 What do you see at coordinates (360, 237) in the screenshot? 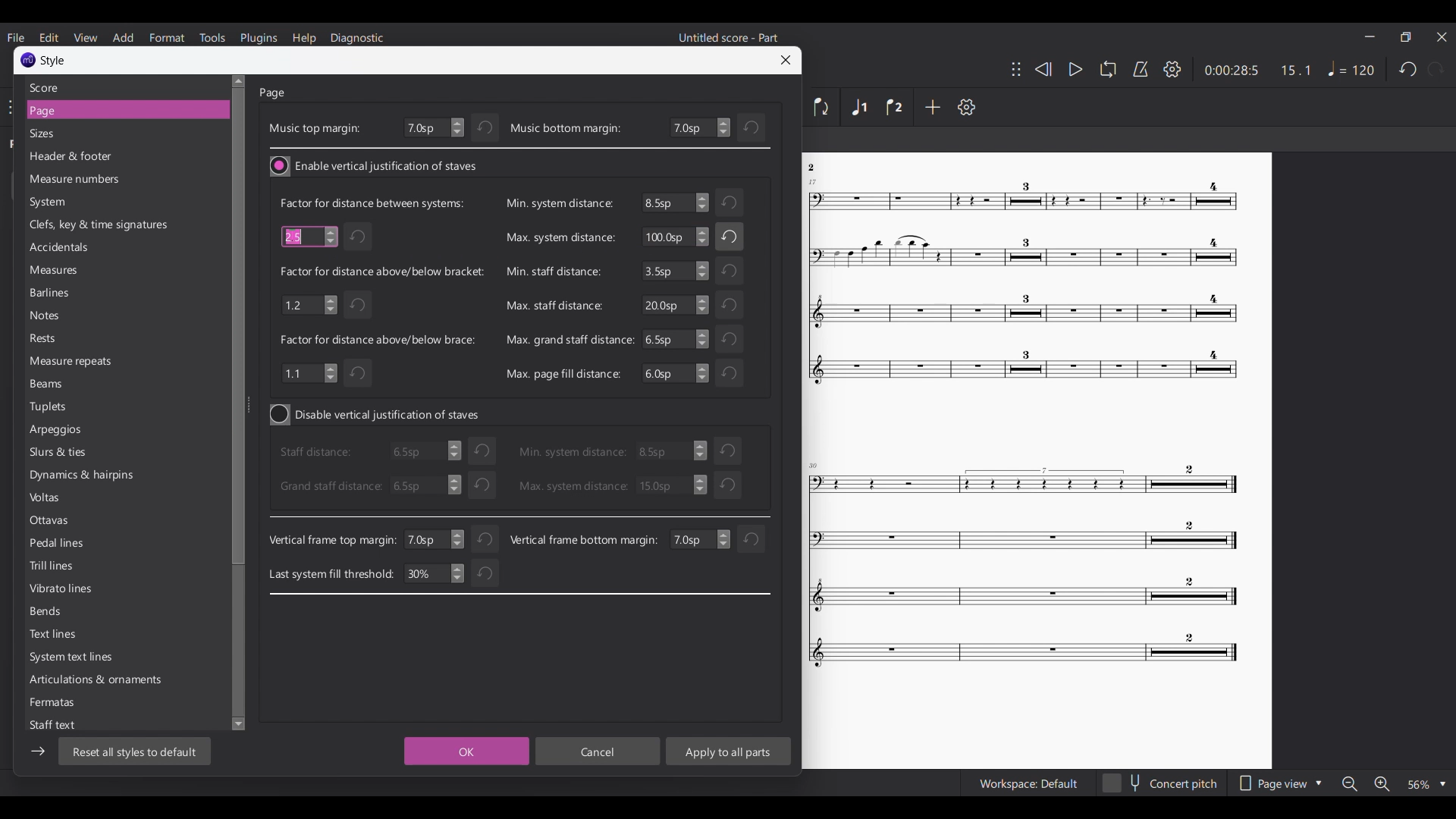
I see `Undo` at bounding box center [360, 237].